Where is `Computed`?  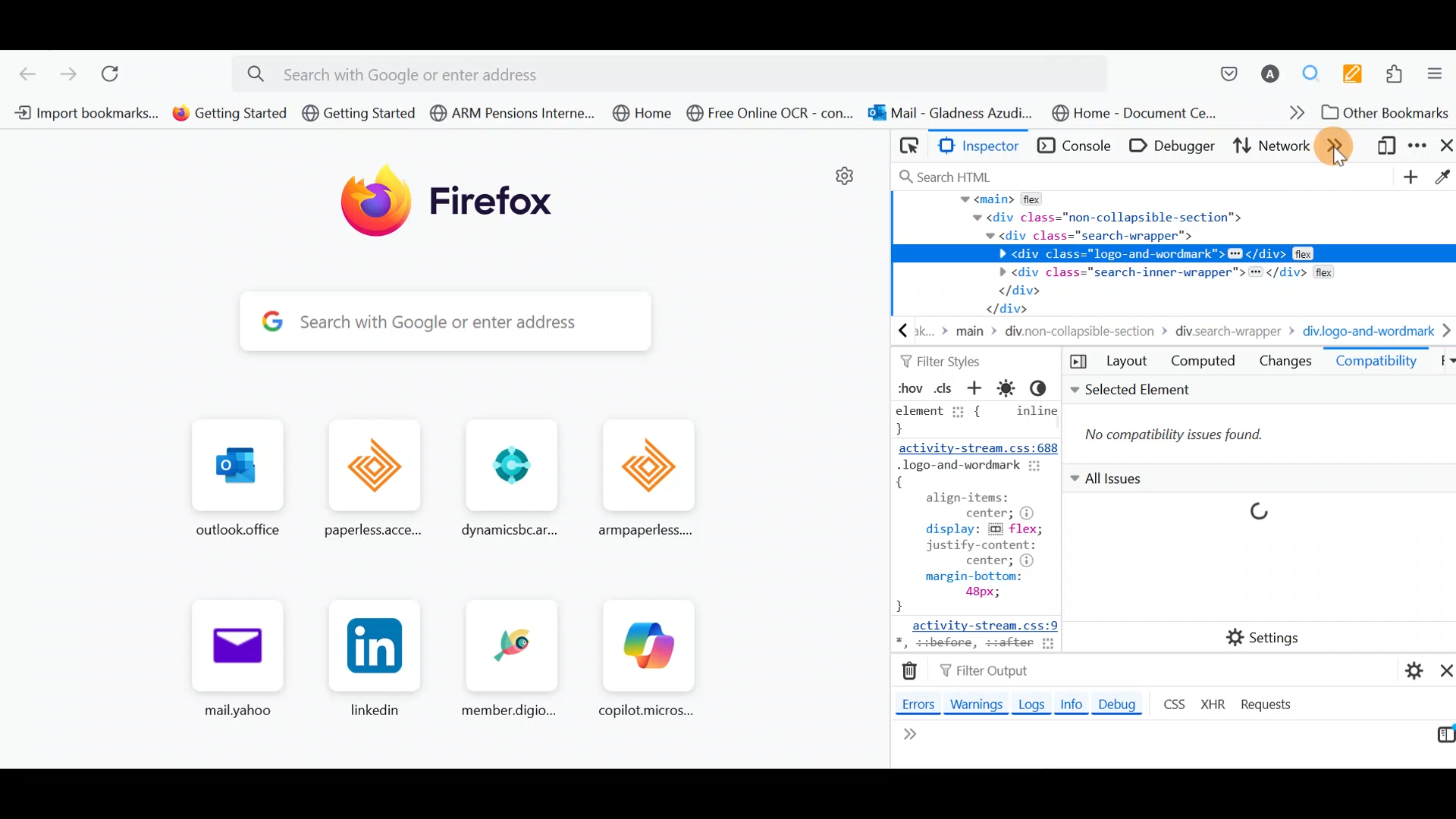 Computed is located at coordinates (1203, 363).